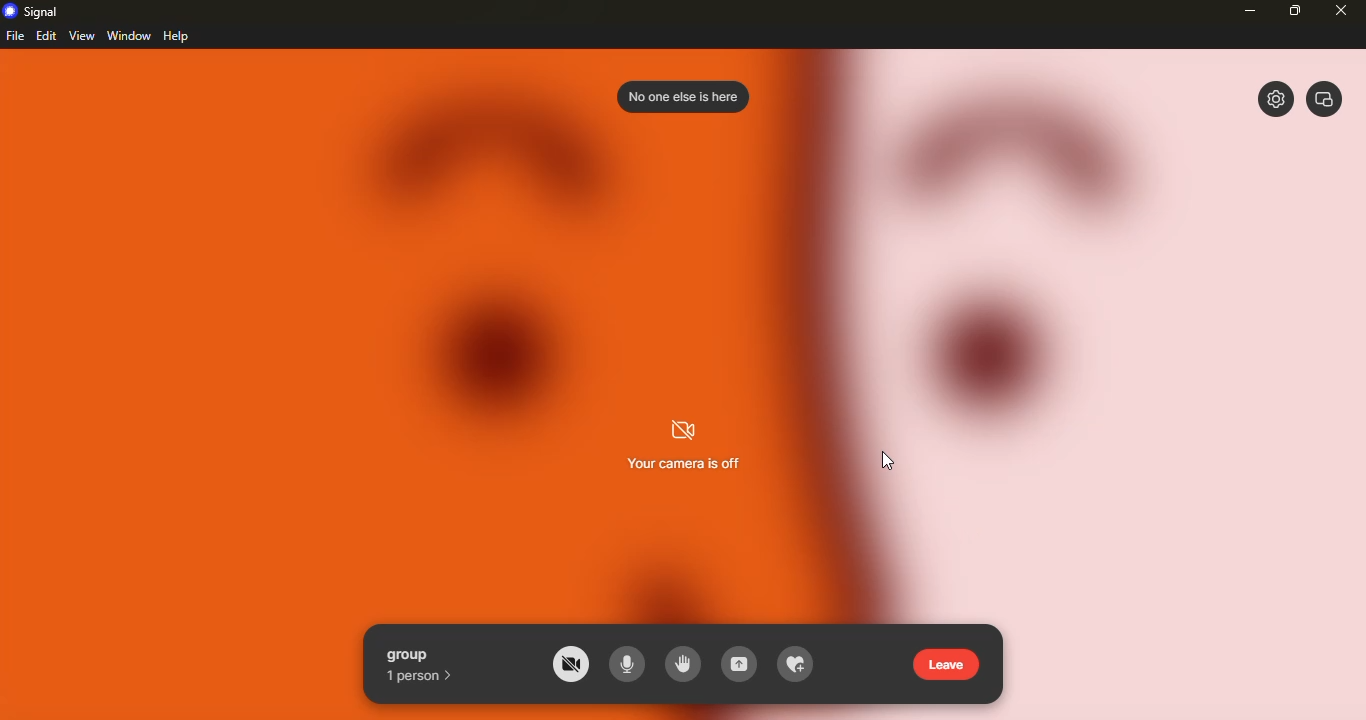 The width and height of the screenshot is (1366, 720). What do you see at coordinates (17, 36) in the screenshot?
I see `file` at bounding box center [17, 36].